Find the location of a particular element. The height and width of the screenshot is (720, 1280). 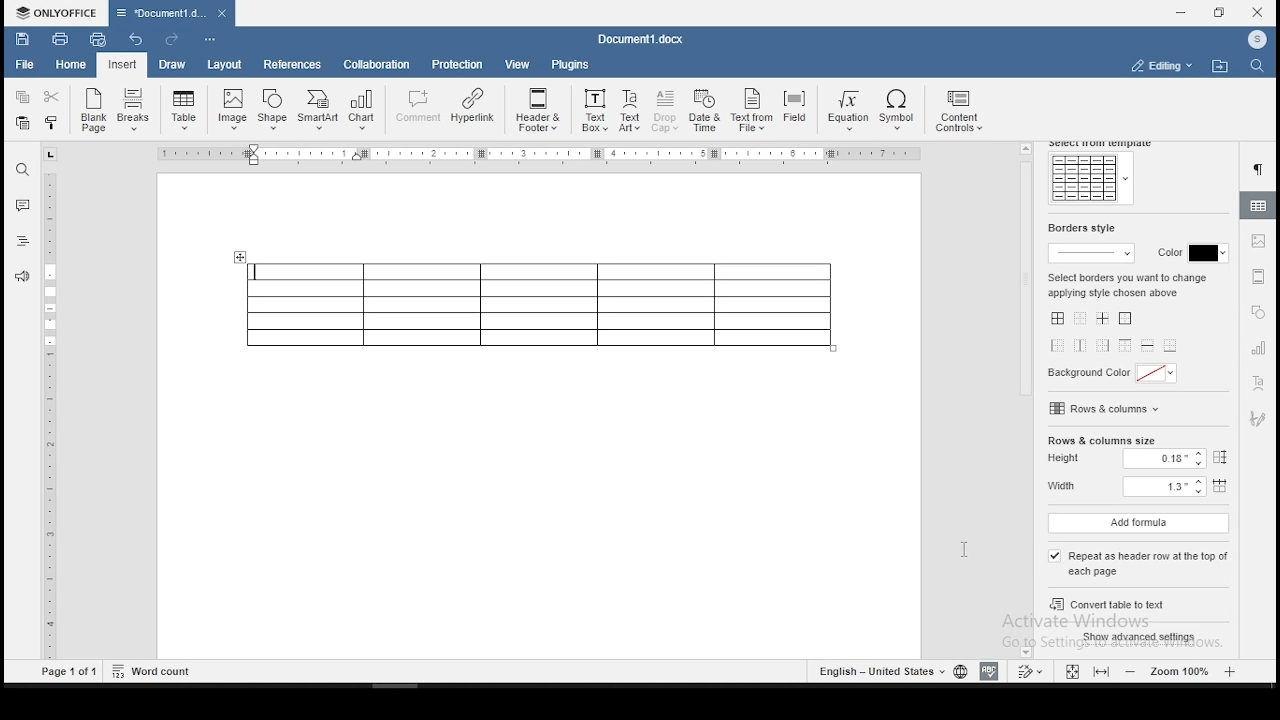

image settings is located at coordinates (1260, 242).